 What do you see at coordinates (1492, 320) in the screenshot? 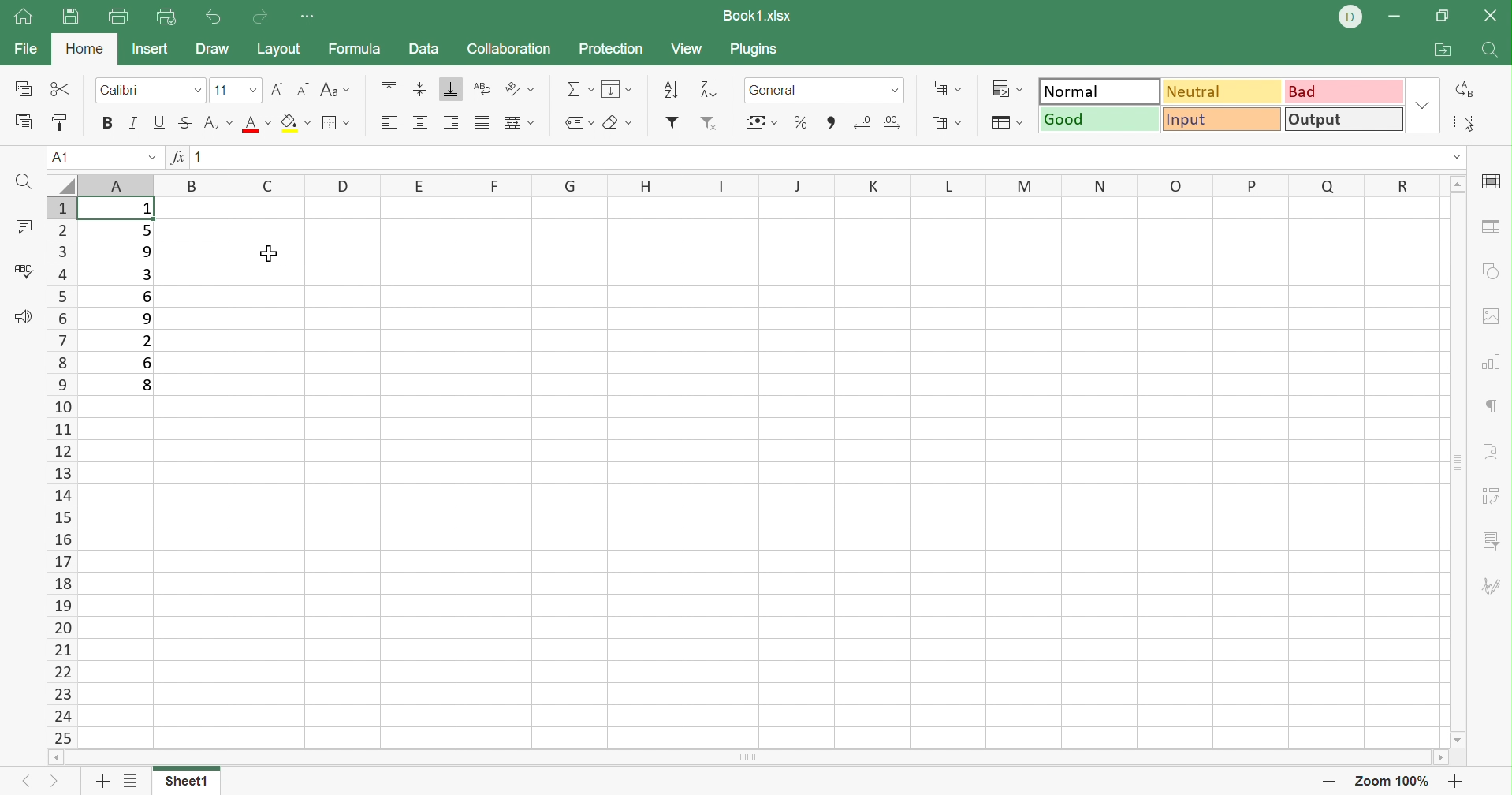
I see `Image settings` at bounding box center [1492, 320].